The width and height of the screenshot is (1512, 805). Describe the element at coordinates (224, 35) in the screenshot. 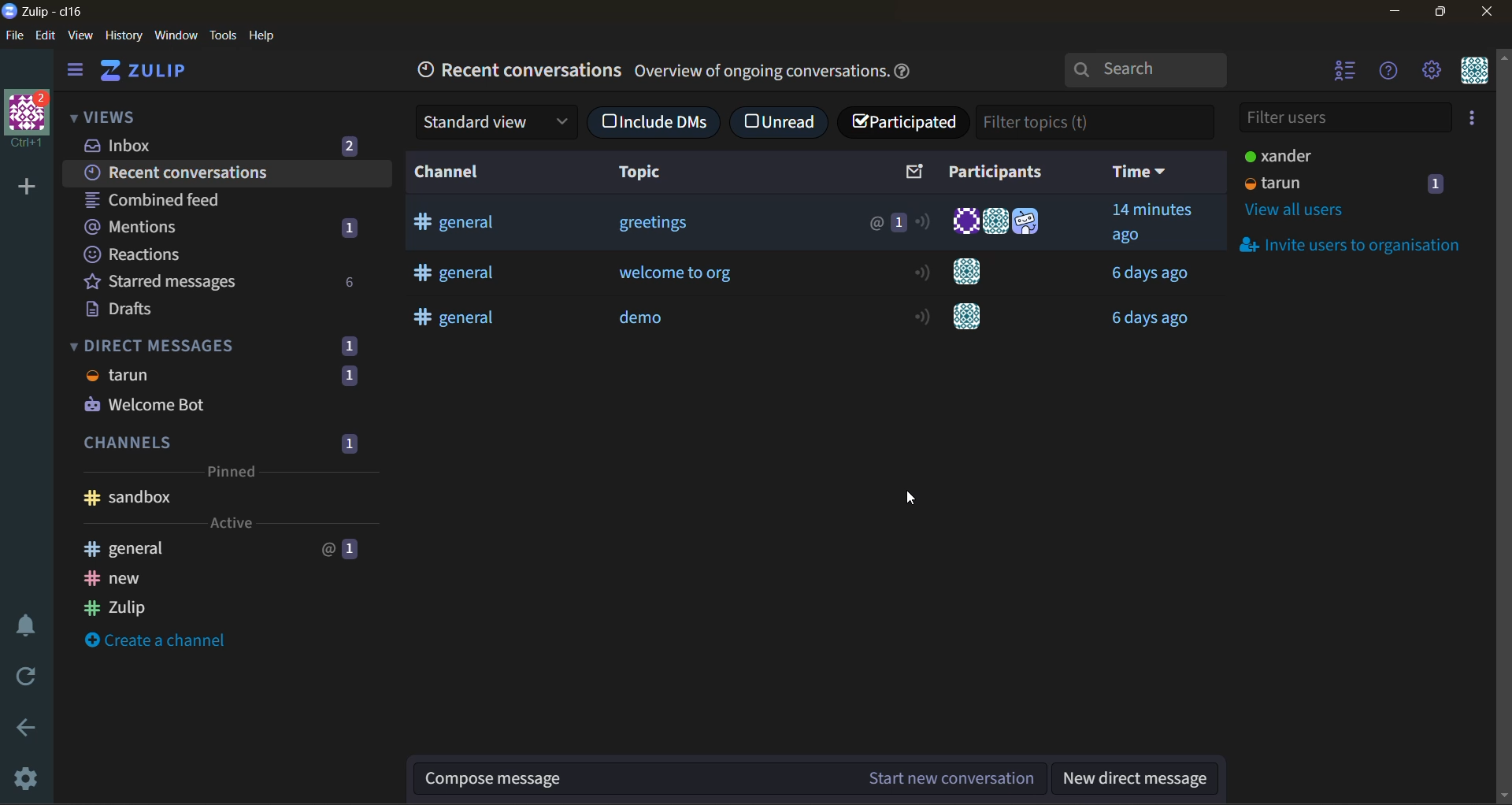

I see `tools` at that location.